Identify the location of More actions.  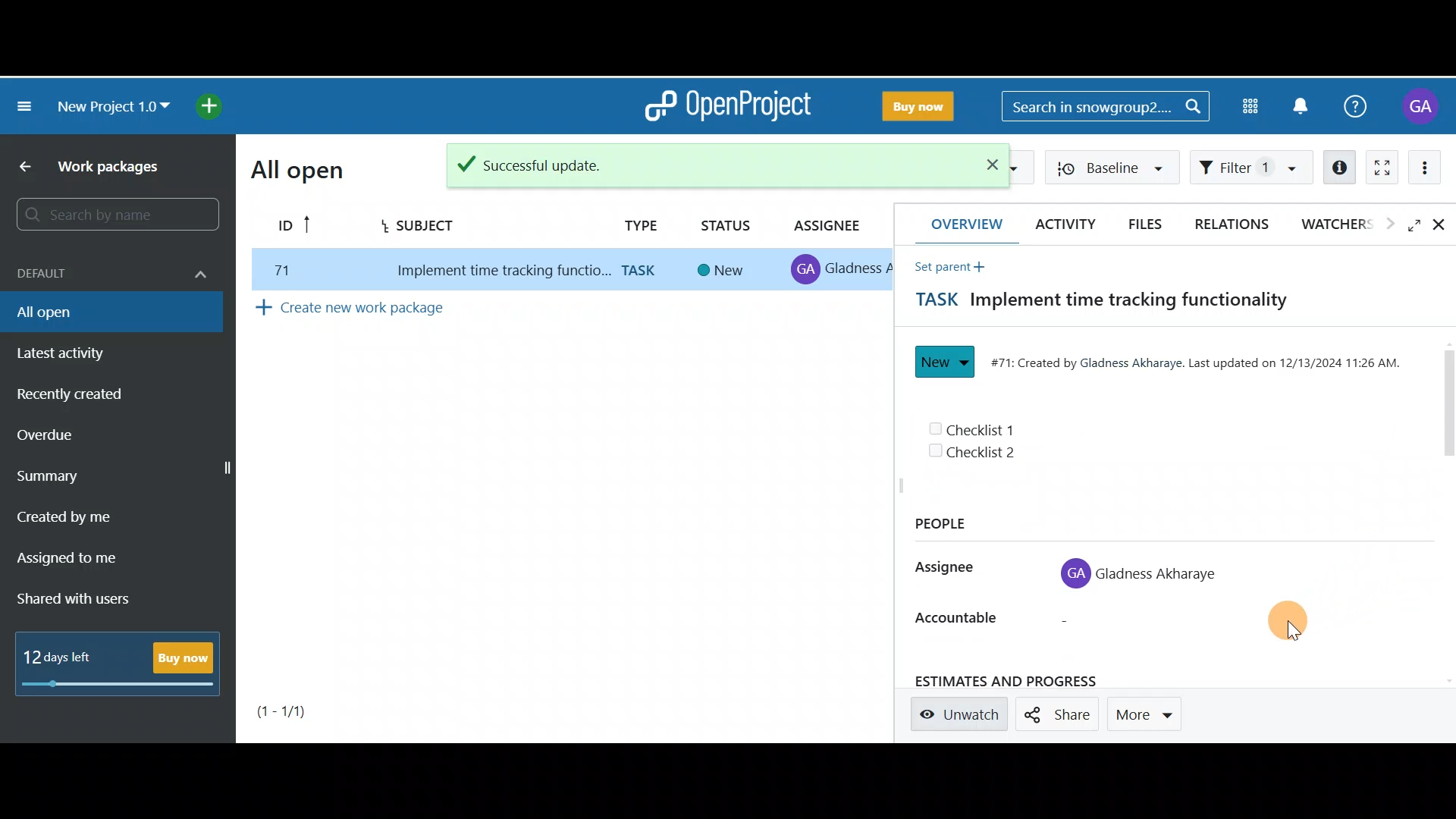
(1433, 168).